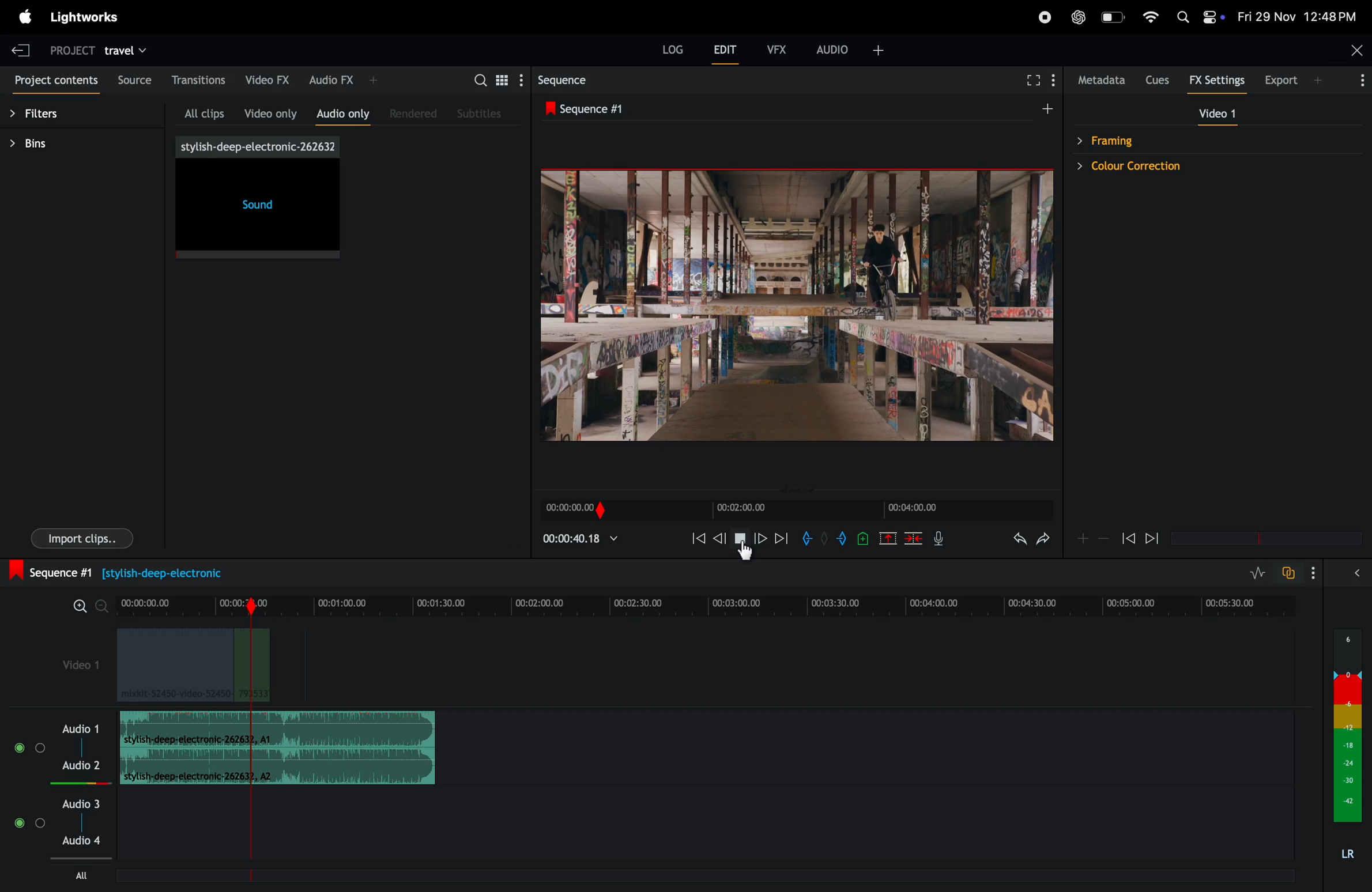  What do you see at coordinates (1155, 165) in the screenshot?
I see `colour correction` at bounding box center [1155, 165].